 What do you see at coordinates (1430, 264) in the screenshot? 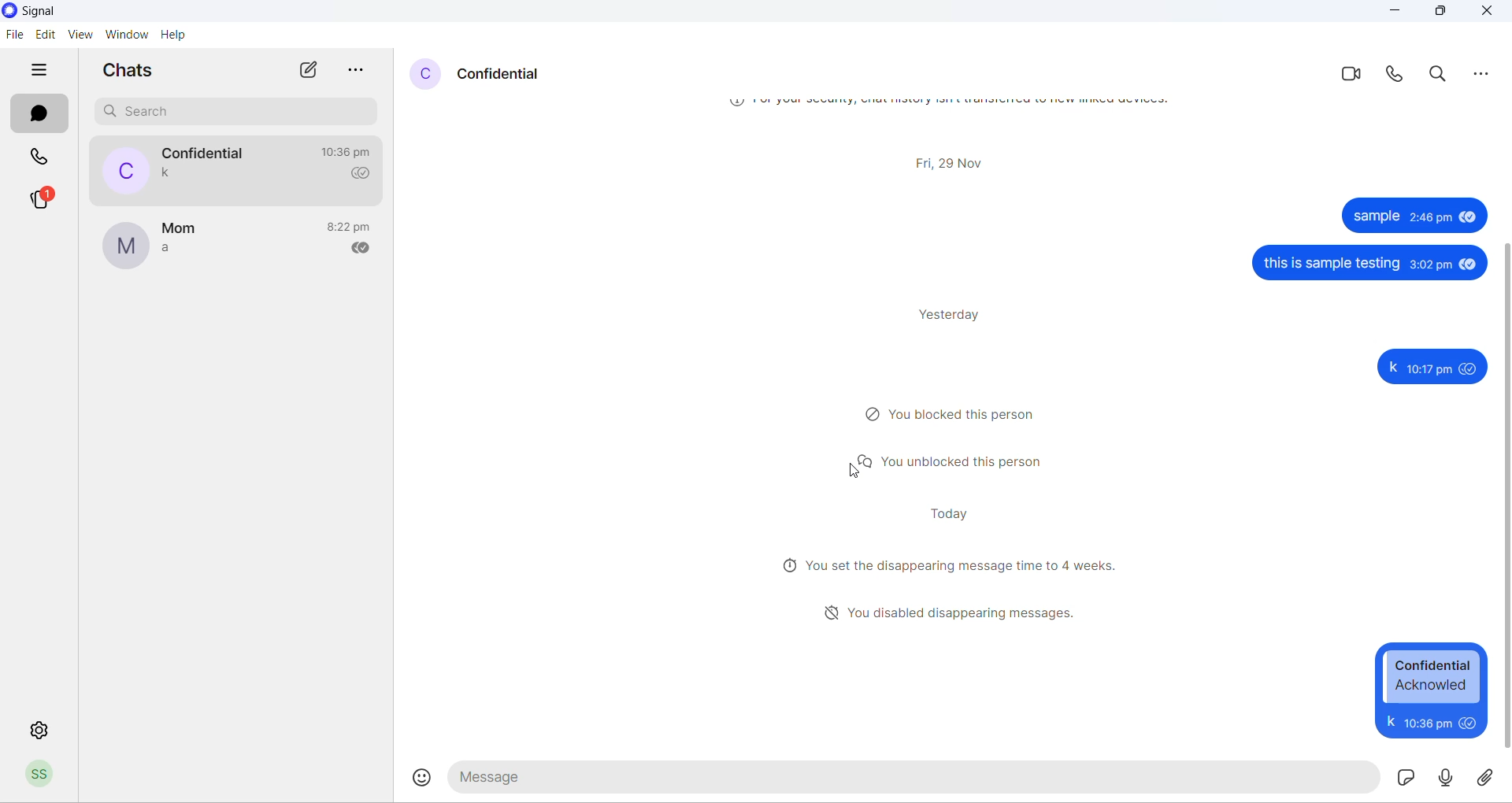
I see `3:02 pm` at bounding box center [1430, 264].